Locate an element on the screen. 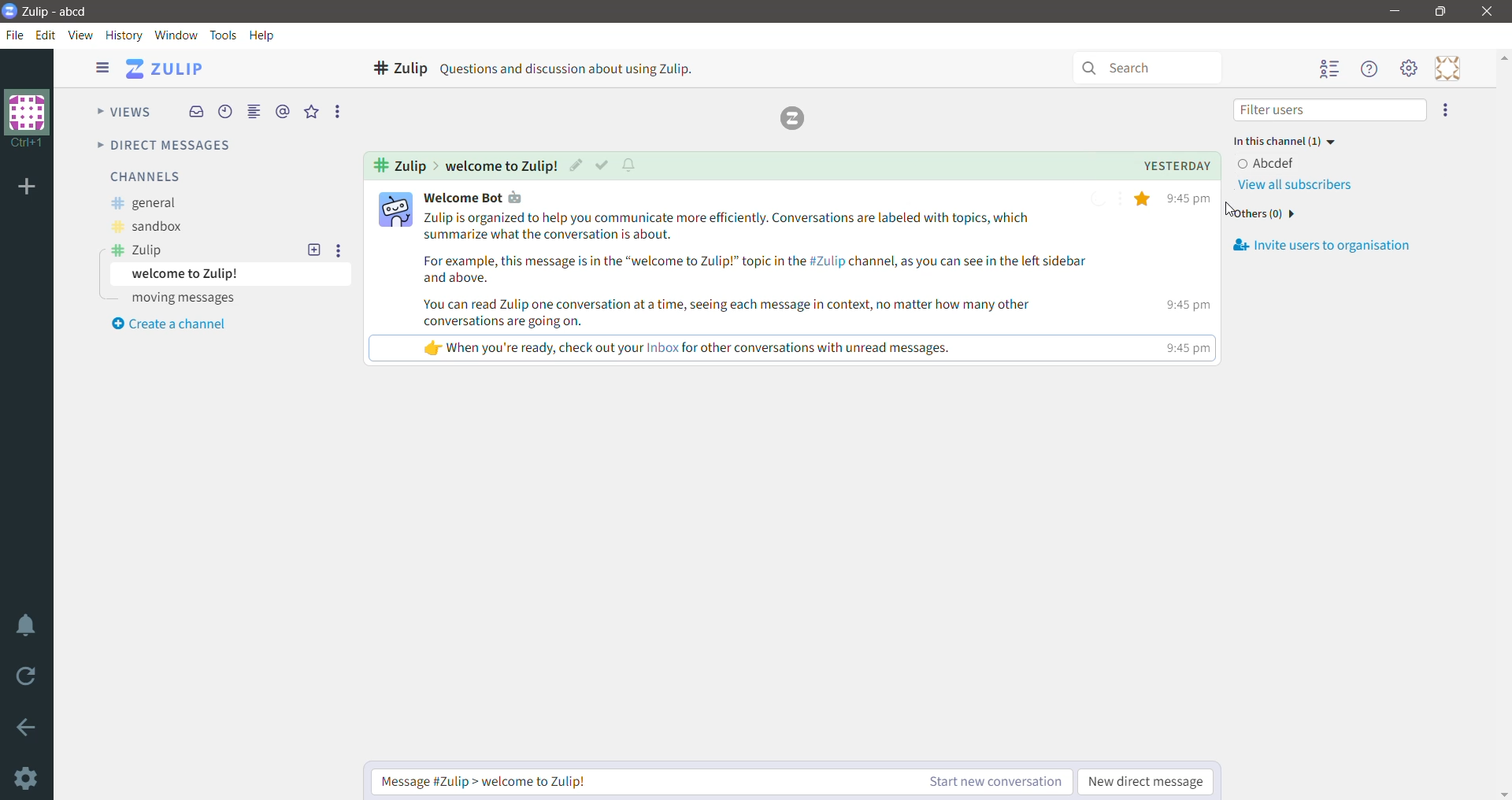  «ly When you're ready, check out your Inbox for other conversations with unread messages. 9:45 pm is located at coordinates (728, 346).